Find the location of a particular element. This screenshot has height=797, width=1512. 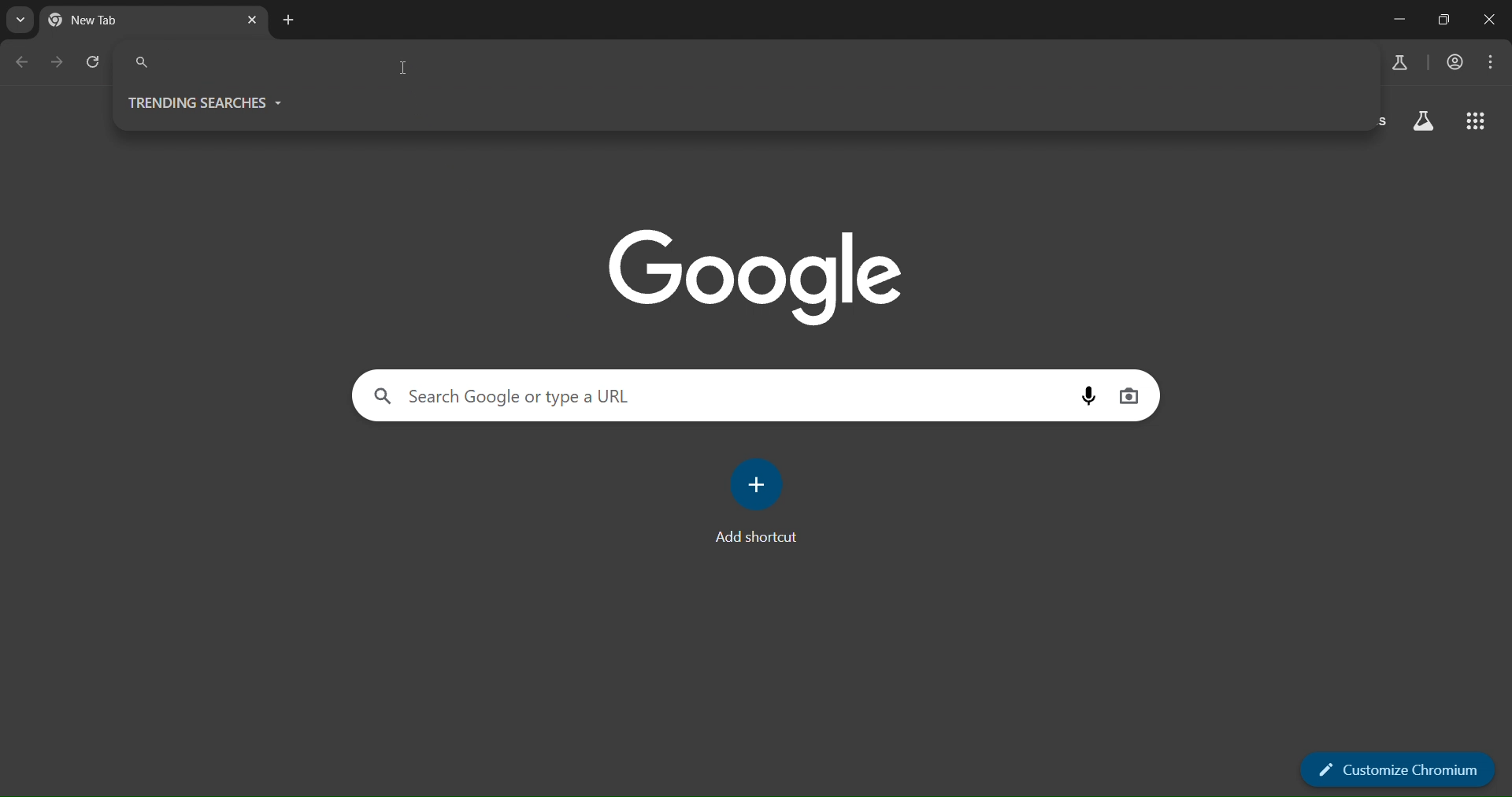

Search Google or type a URL is located at coordinates (504, 395).